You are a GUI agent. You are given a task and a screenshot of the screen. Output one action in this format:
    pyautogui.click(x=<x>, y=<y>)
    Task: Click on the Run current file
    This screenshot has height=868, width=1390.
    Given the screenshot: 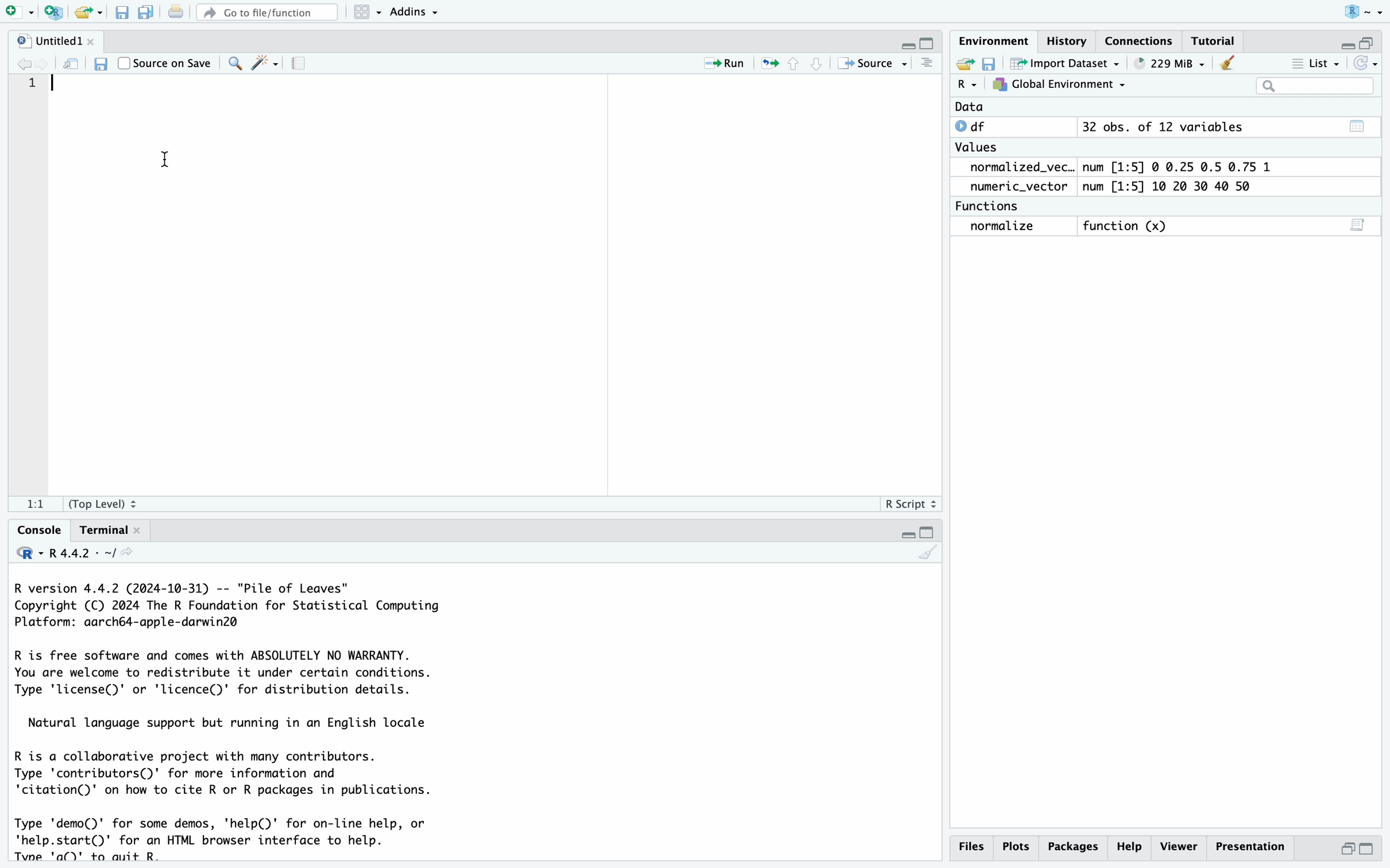 What is the action you would take?
    pyautogui.click(x=724, y=65)
    